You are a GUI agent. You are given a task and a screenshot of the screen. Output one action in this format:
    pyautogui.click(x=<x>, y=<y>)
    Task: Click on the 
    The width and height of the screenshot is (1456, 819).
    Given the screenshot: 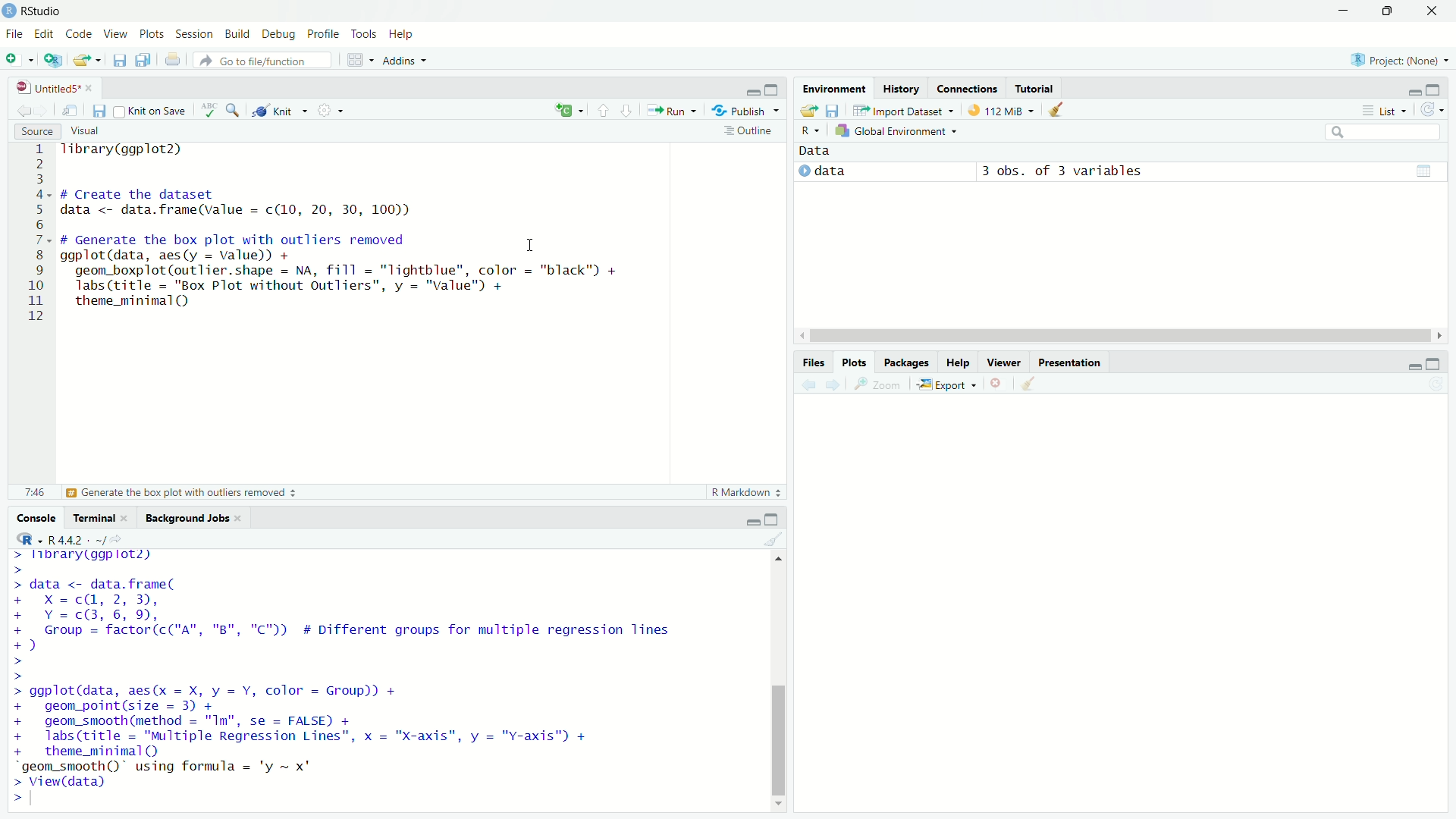 What is the action you would take?
    pyautogui.click(x=808, y=362)
    